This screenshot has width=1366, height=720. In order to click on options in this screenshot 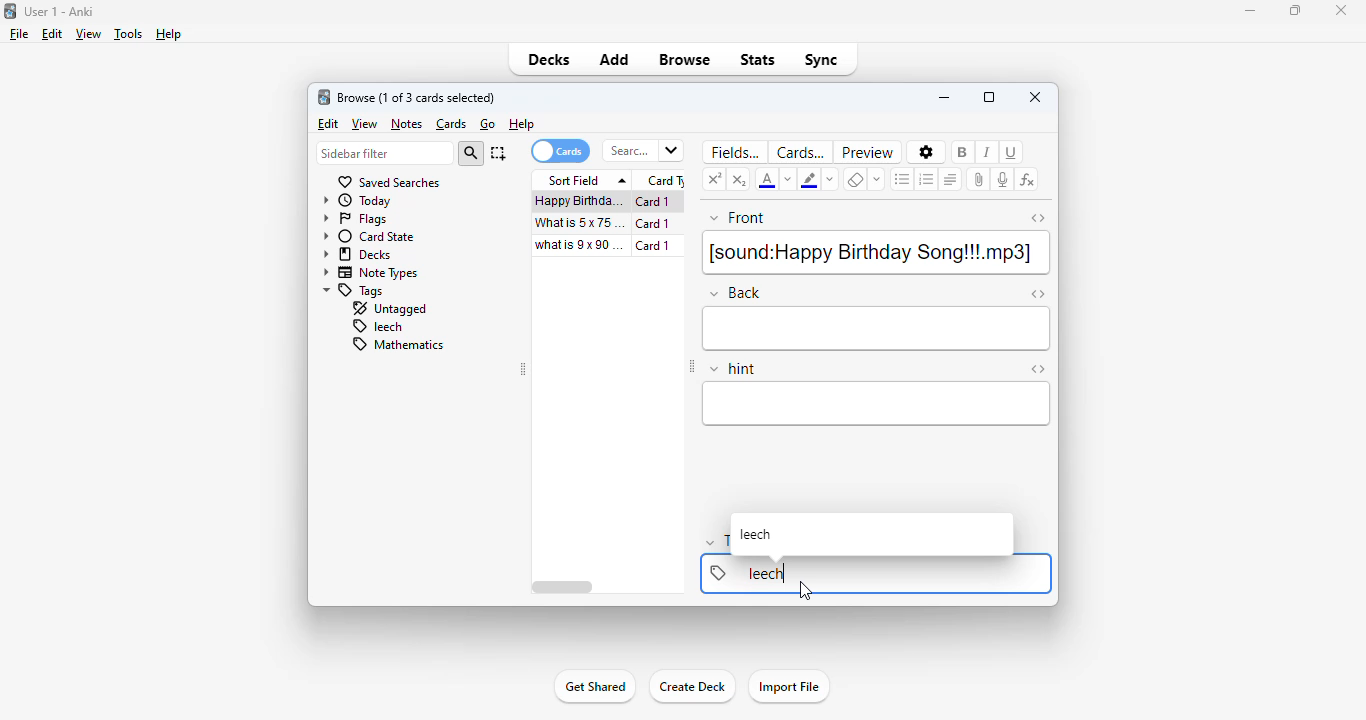, I will do `click(925, 152)`.